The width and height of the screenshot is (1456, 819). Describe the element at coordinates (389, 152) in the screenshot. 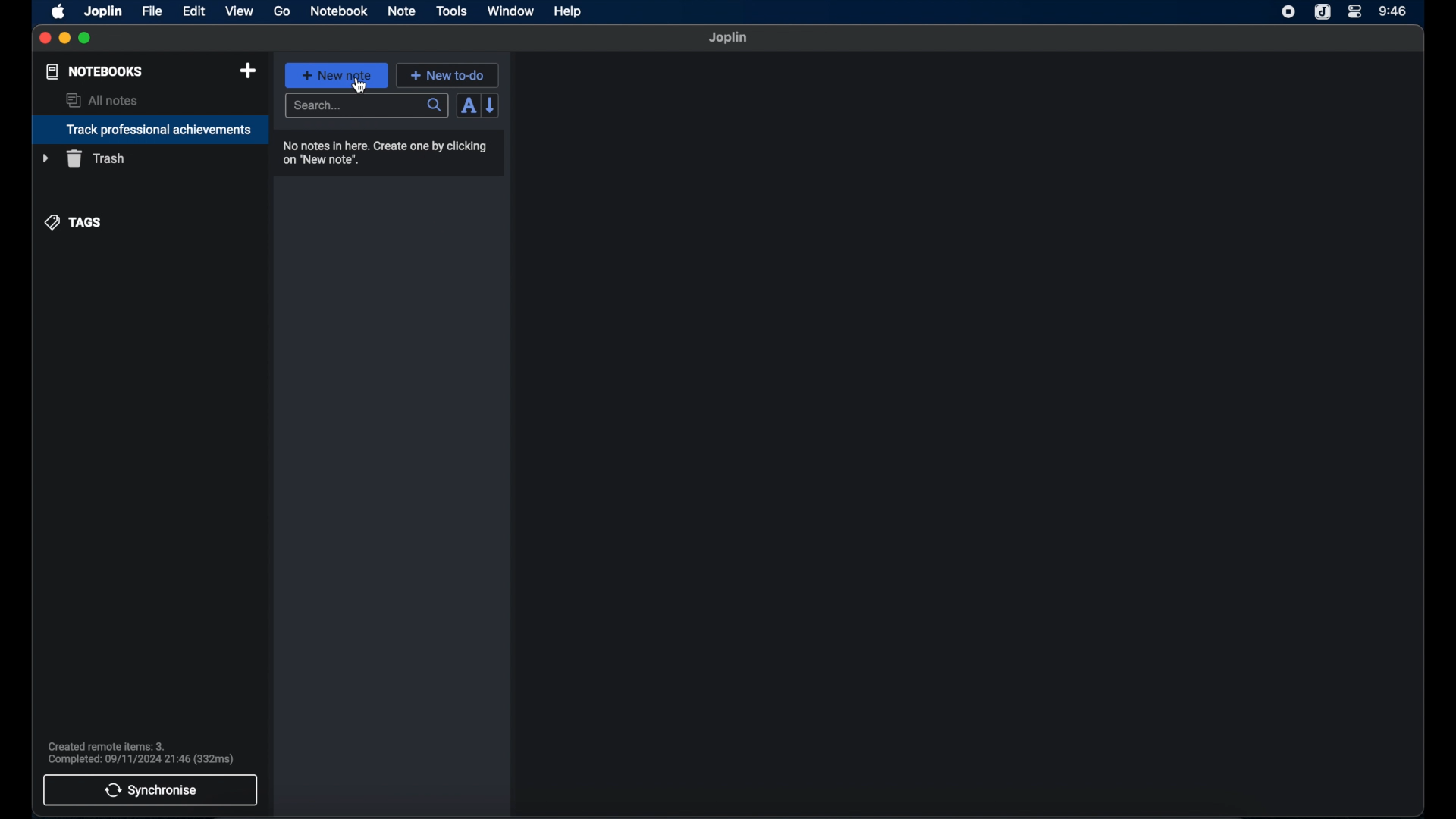

I see `no notes in here. create one by clicking one "new note".` at that location.